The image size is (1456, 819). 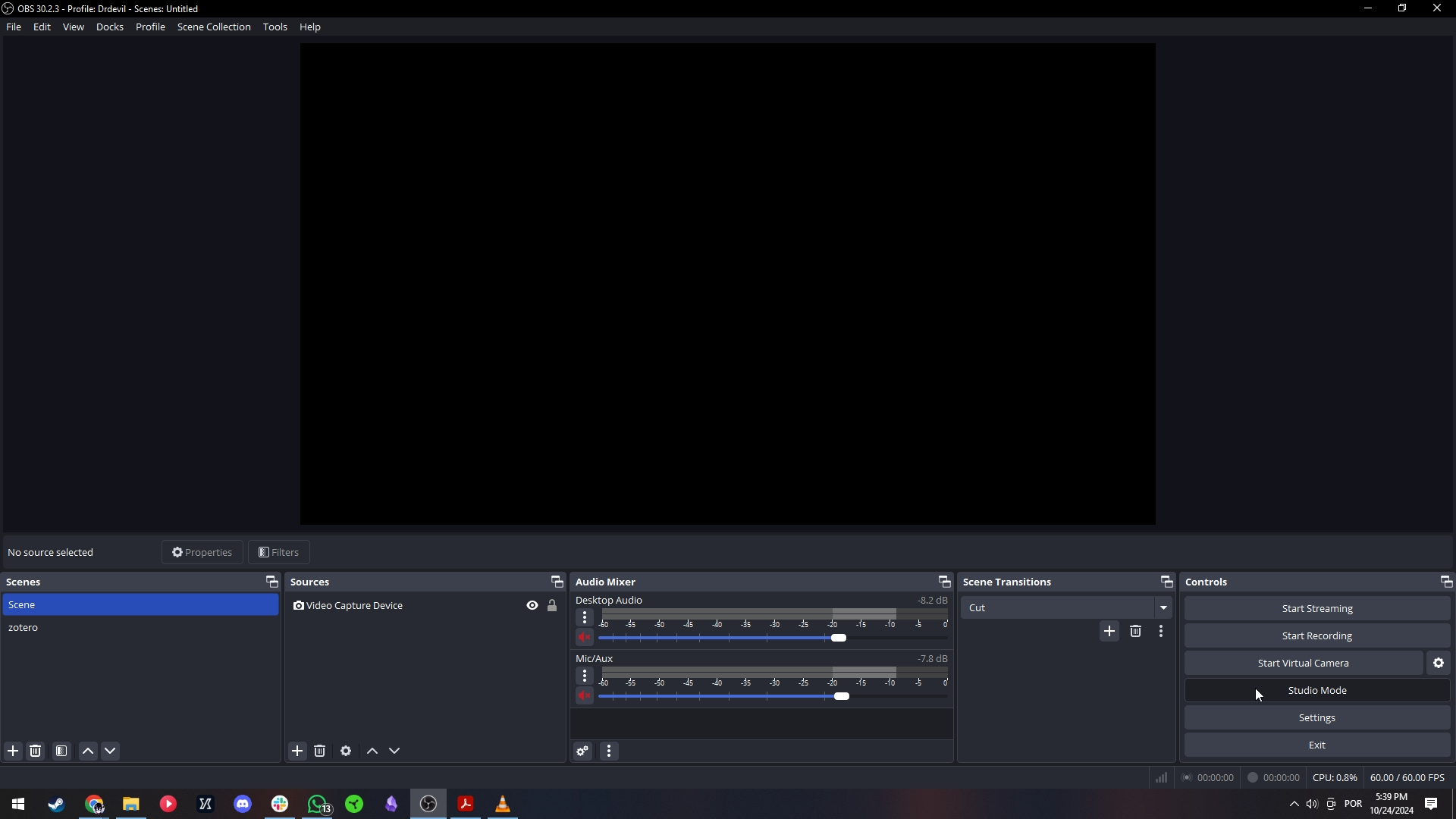 I want to click on whatsapp, so click(x=319, y=803).